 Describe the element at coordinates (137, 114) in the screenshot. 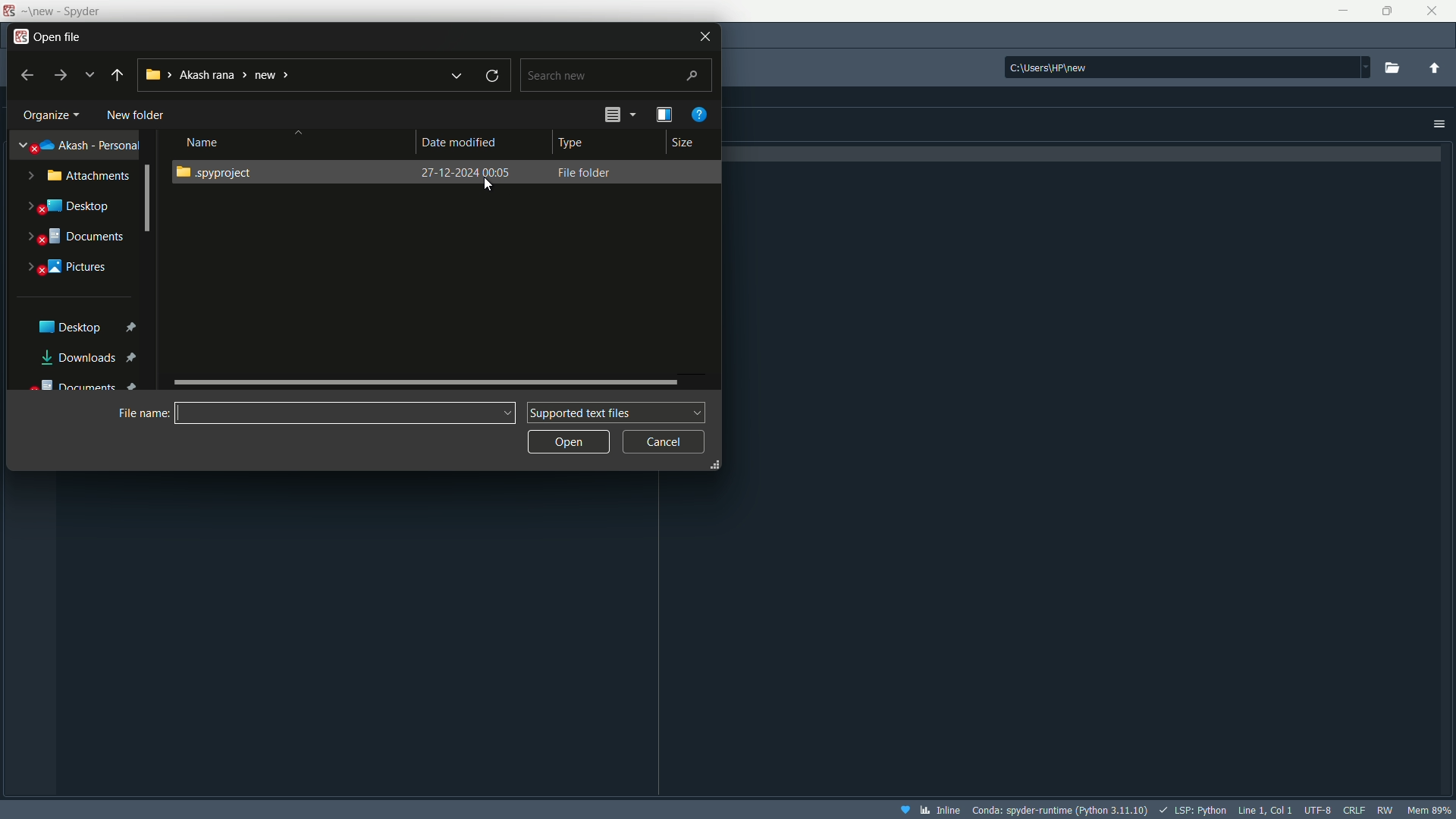

I see `new folder` at that location.